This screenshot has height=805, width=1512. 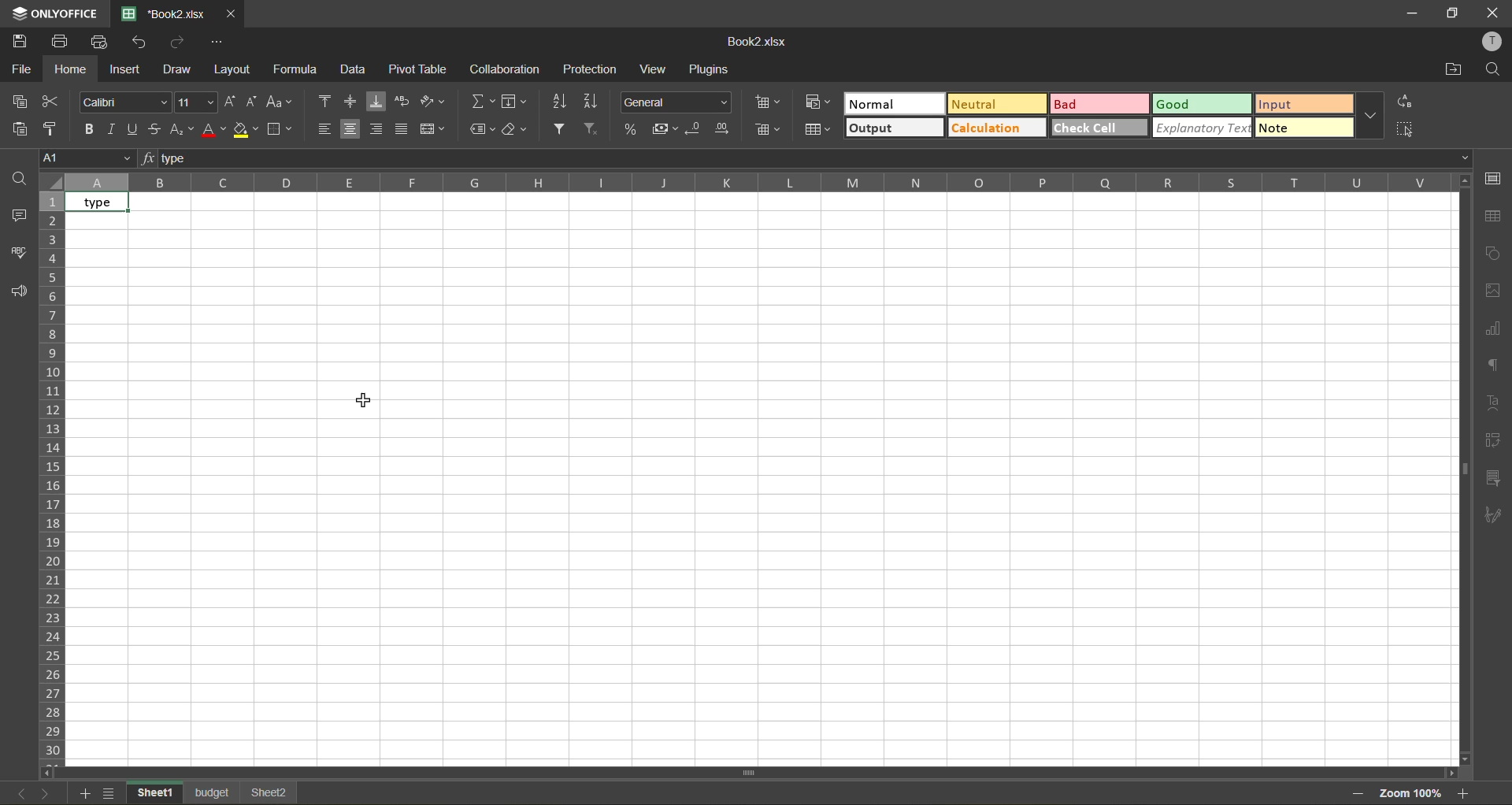 I want to click on replace, so click(x=1408, y=101).